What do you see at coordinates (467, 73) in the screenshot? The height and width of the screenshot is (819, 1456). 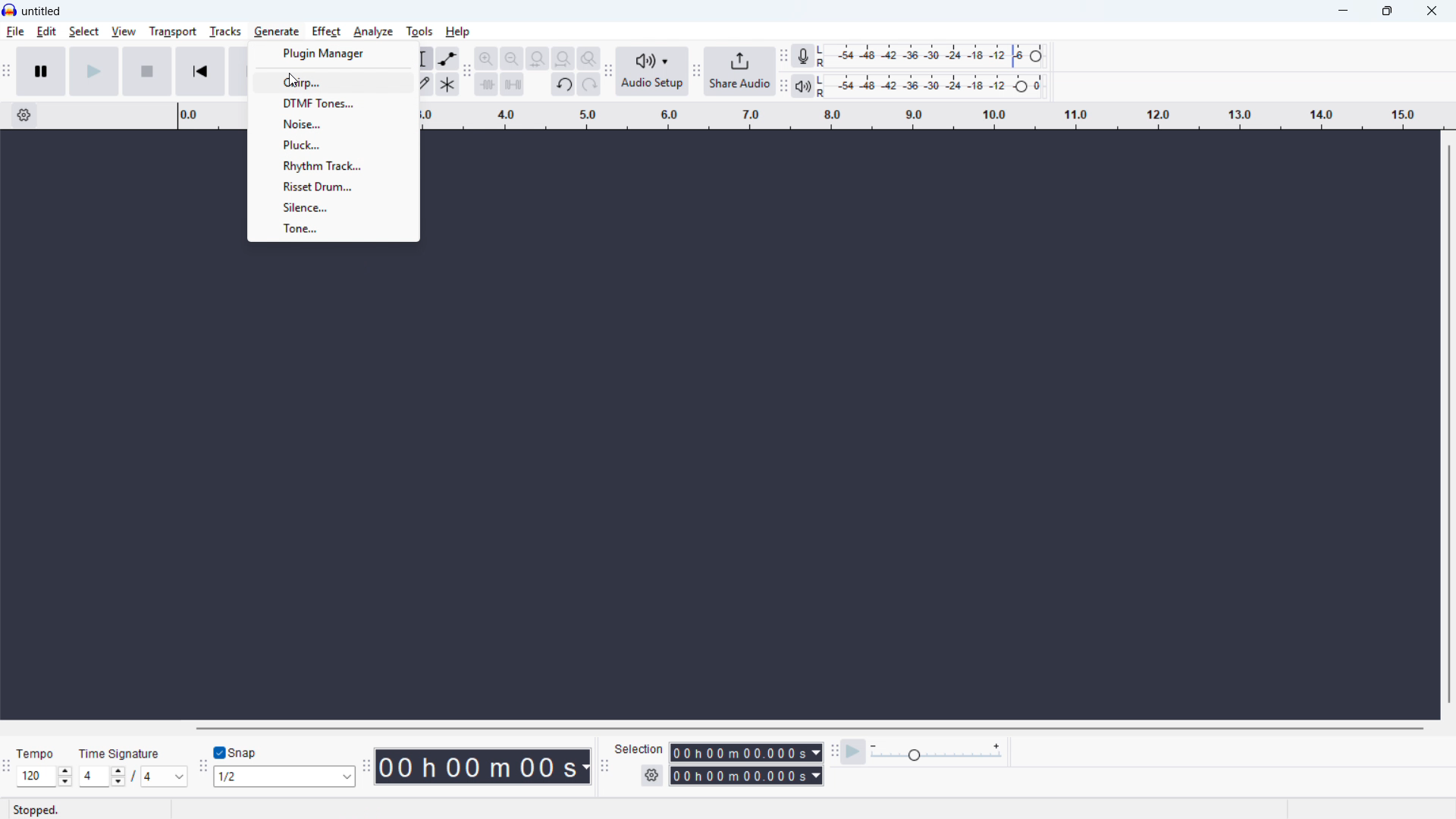 I see `Edit toolbar ` at bounding box center [467, 73].